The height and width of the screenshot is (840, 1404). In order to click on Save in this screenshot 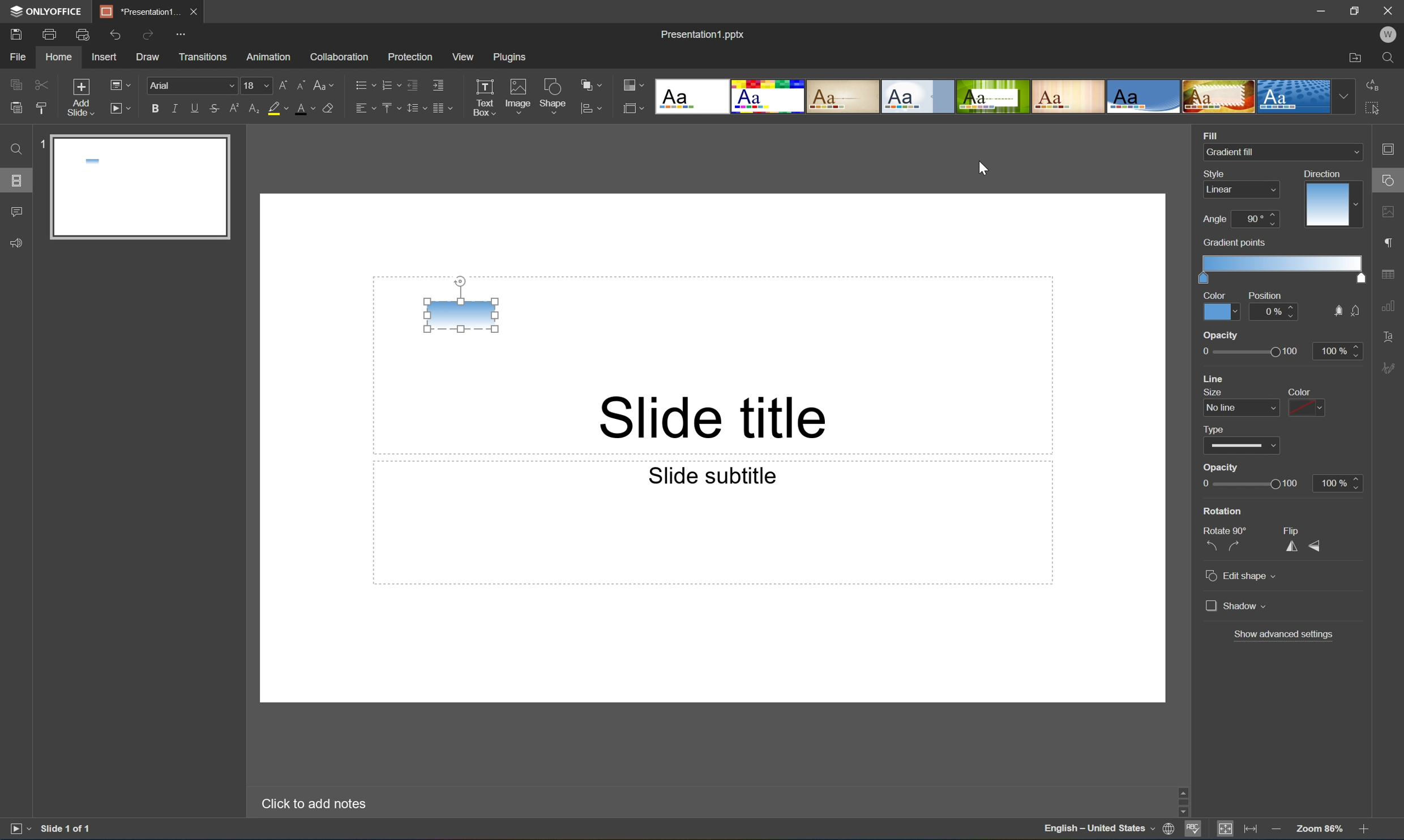, I will do `click(14, 33)`.